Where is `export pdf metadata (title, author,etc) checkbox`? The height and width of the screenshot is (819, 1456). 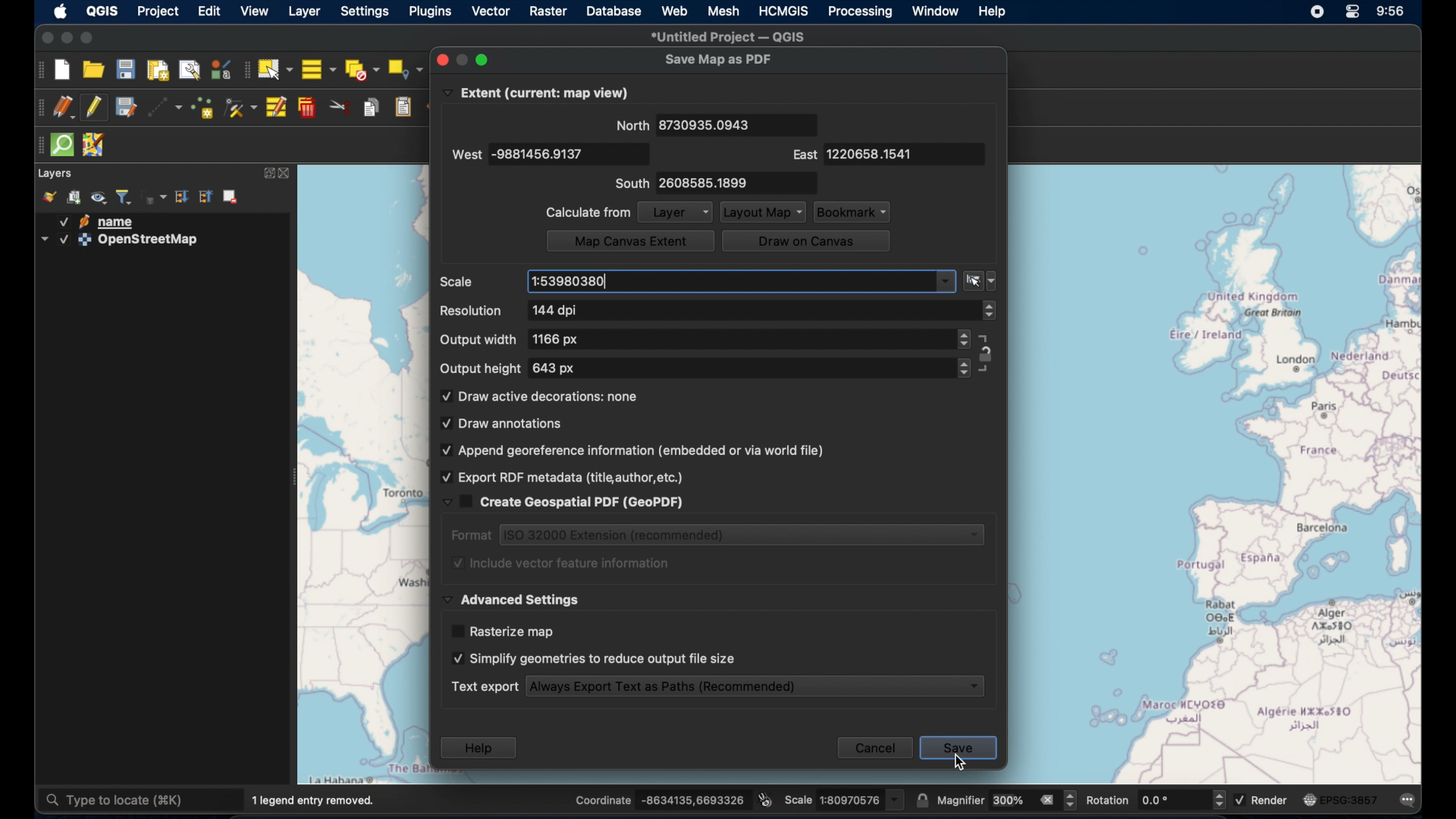 export pdf metadata (title, author,etc) checkbox is located at coordinates (561, 478).